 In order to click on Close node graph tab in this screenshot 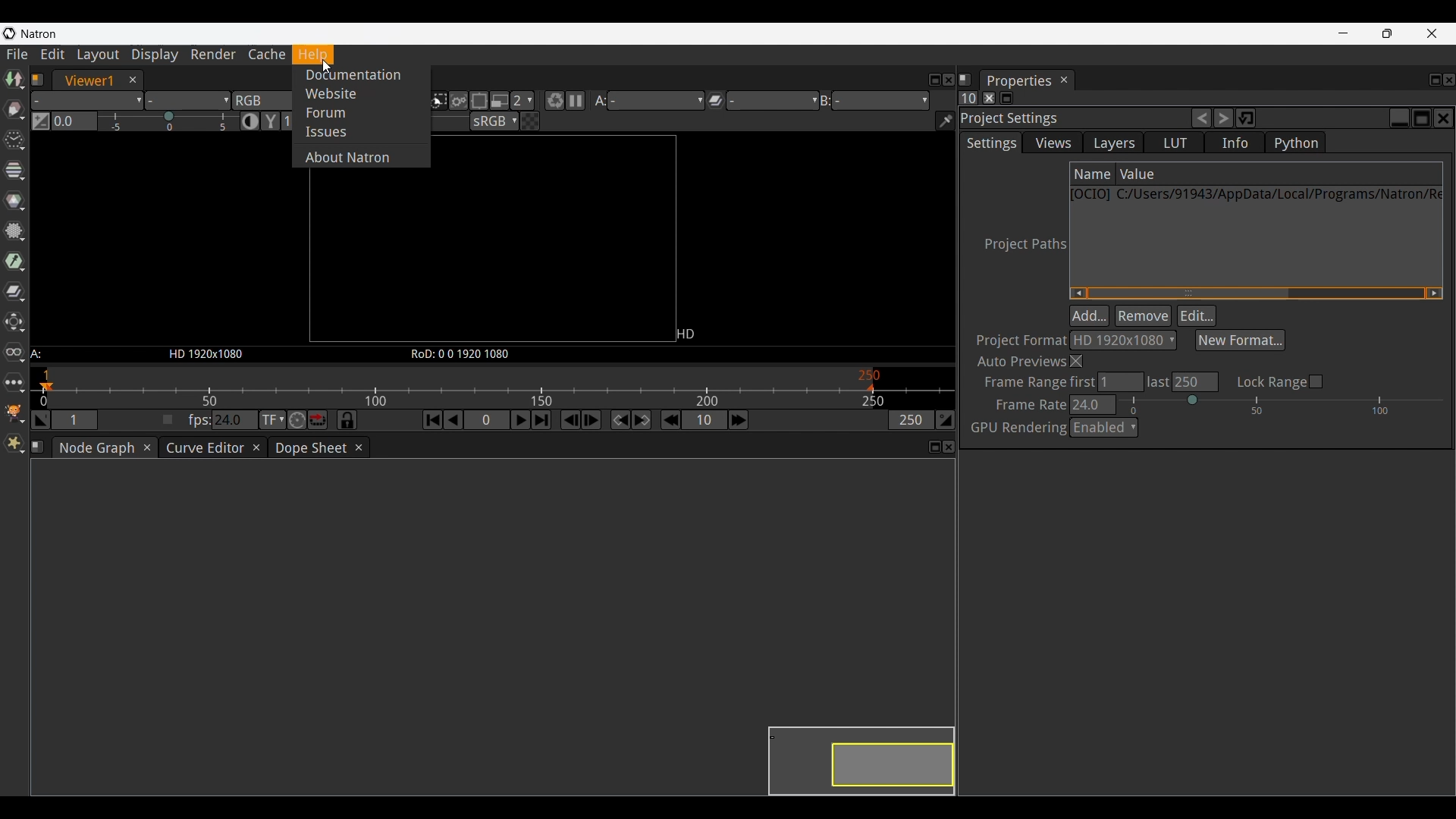, I will do `click(145, 447)`.